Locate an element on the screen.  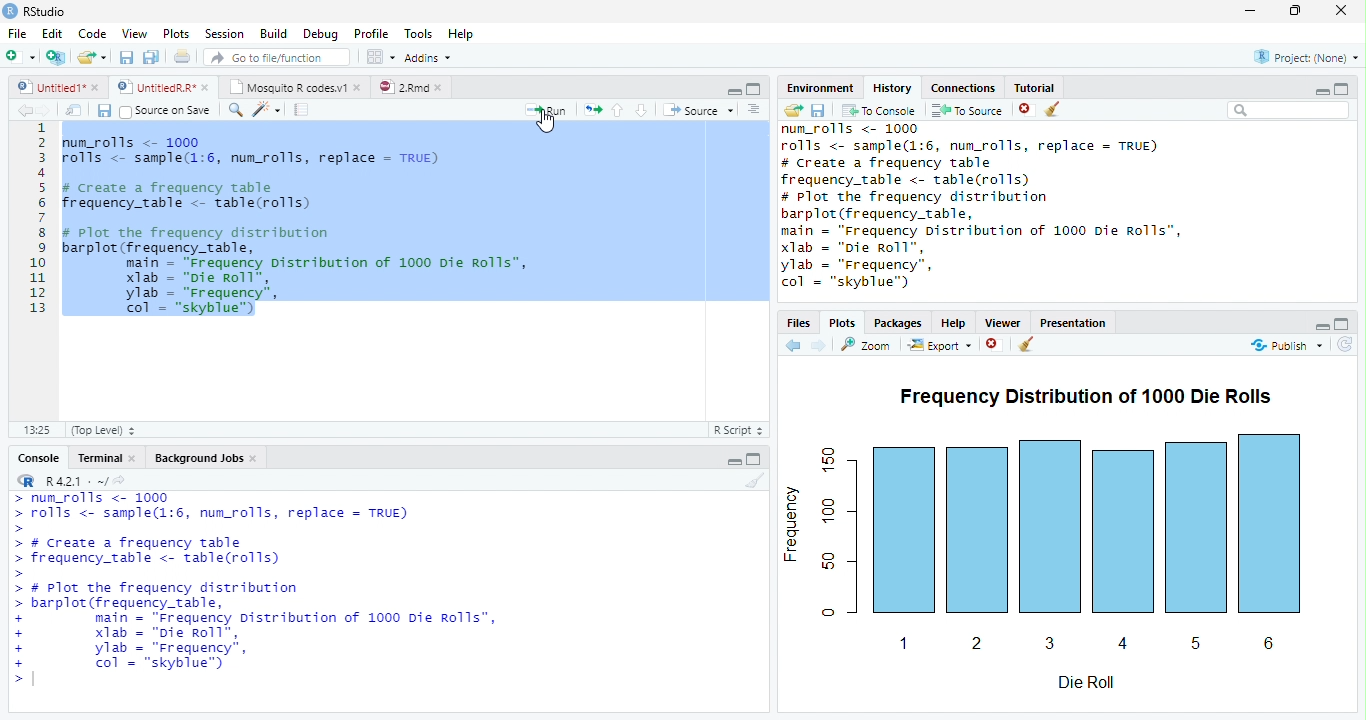
Next Plot is located at coordinates (820, 345).